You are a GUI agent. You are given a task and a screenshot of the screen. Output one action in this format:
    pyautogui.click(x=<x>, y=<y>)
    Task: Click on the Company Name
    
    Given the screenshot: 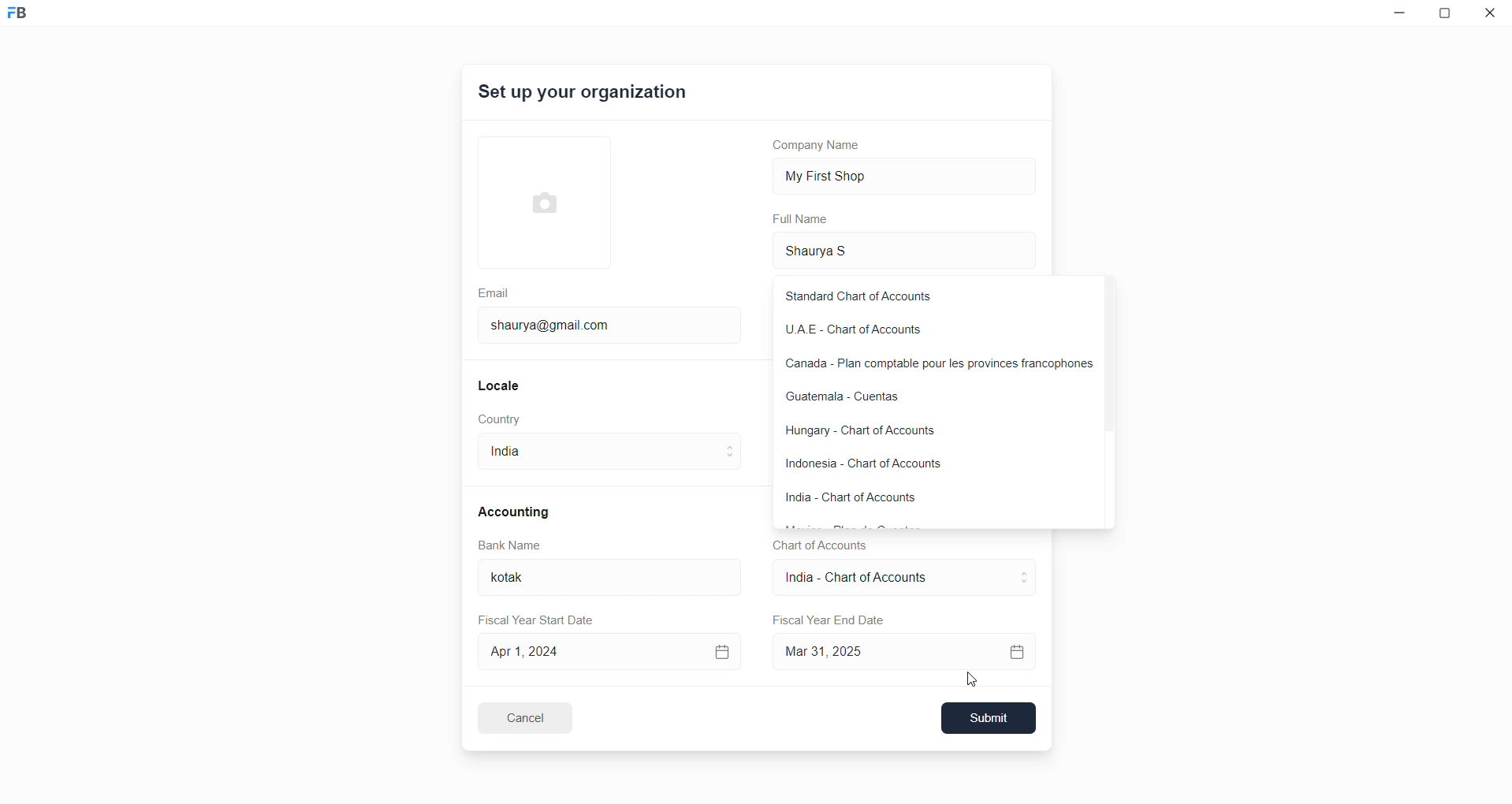 What is the action you would take?
    pyautogui.click(x=822, y=147)
    